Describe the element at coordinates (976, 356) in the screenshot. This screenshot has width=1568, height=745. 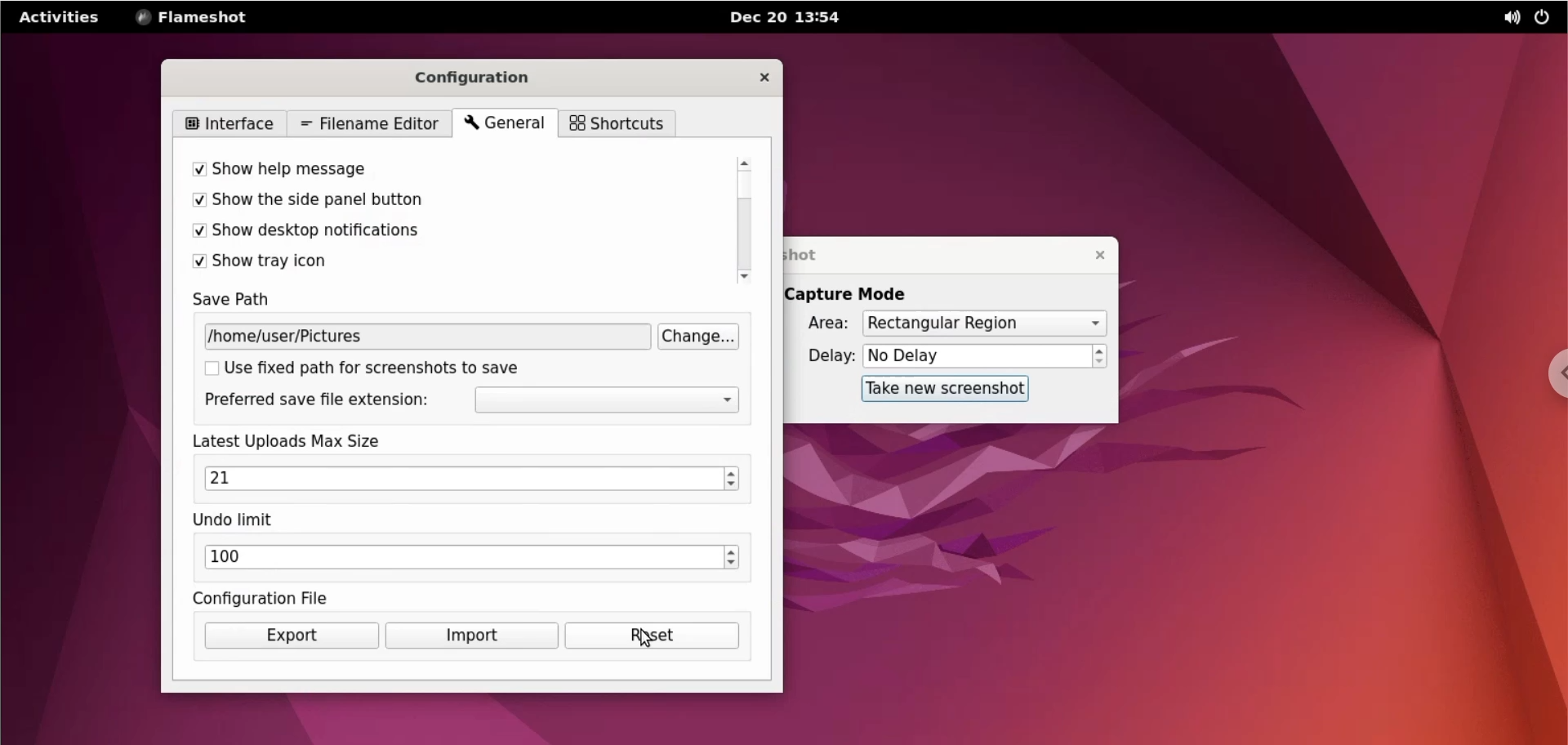
I see `delay options` at that location.